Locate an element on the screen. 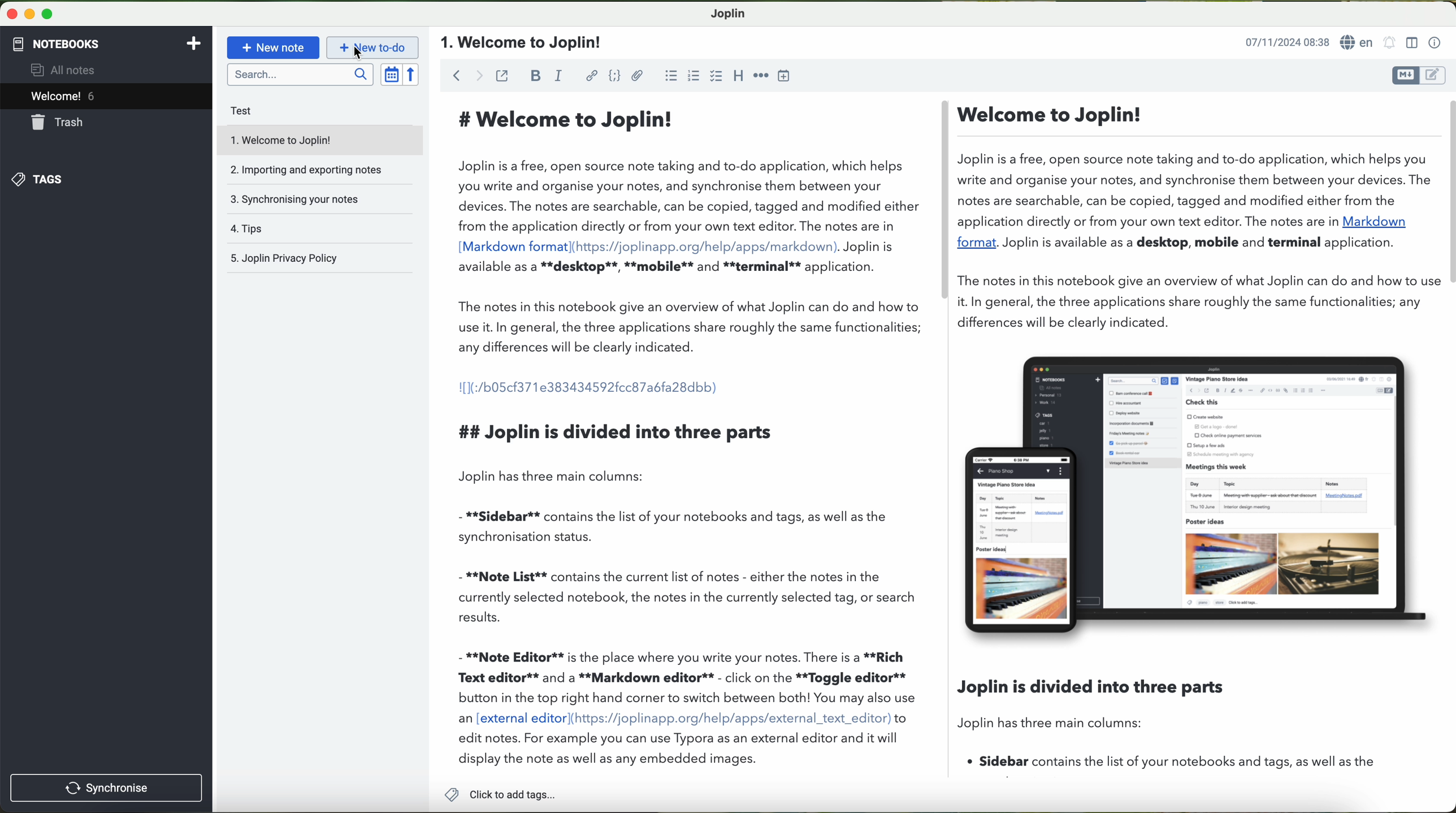 The height and width of the screenshot is (813, 1456). toggle sort order field is located at coordinates (391, 74).